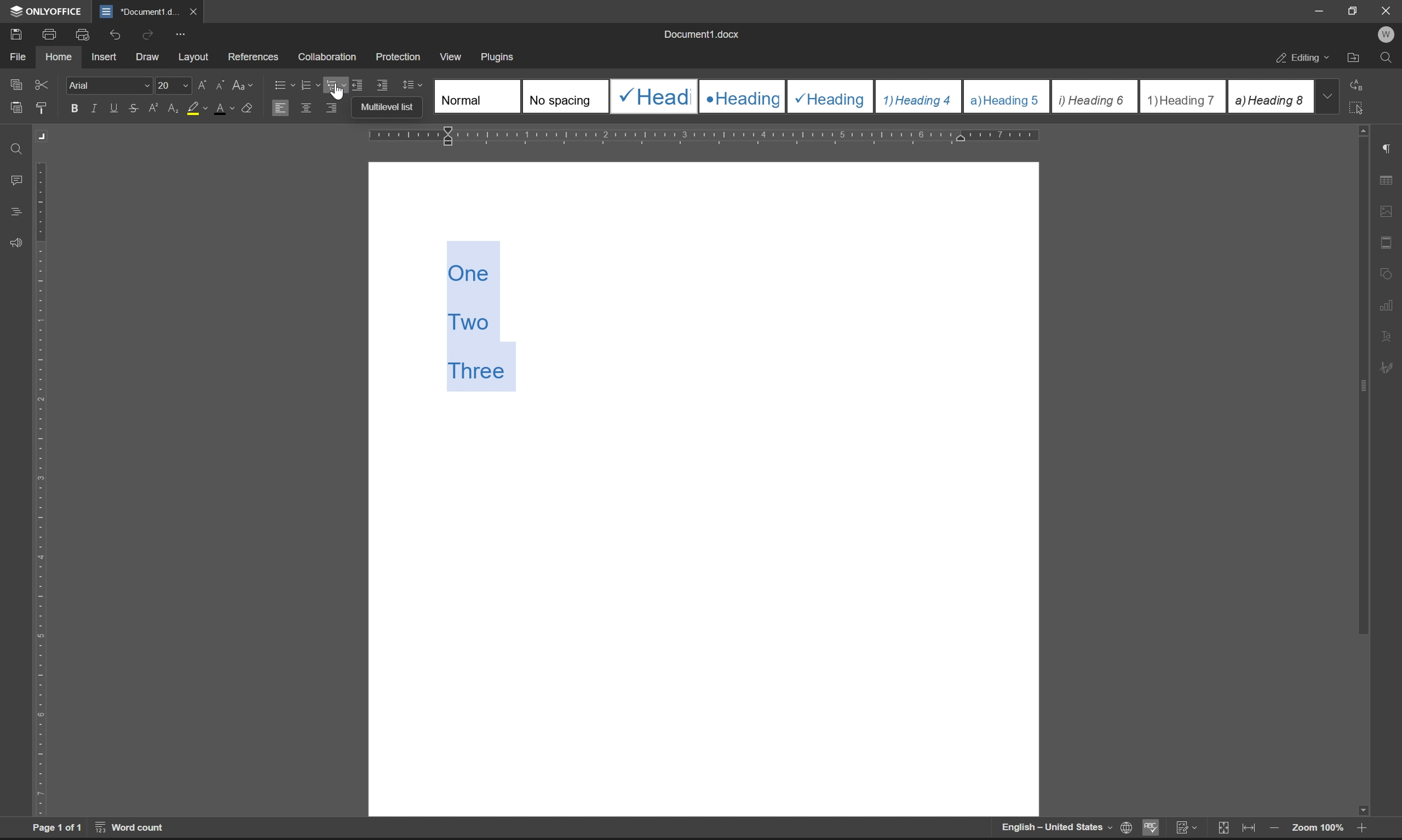  What do you see at coordinates (449, 54) in the screenshot?
I see `view` at bounding box center [449, 54].